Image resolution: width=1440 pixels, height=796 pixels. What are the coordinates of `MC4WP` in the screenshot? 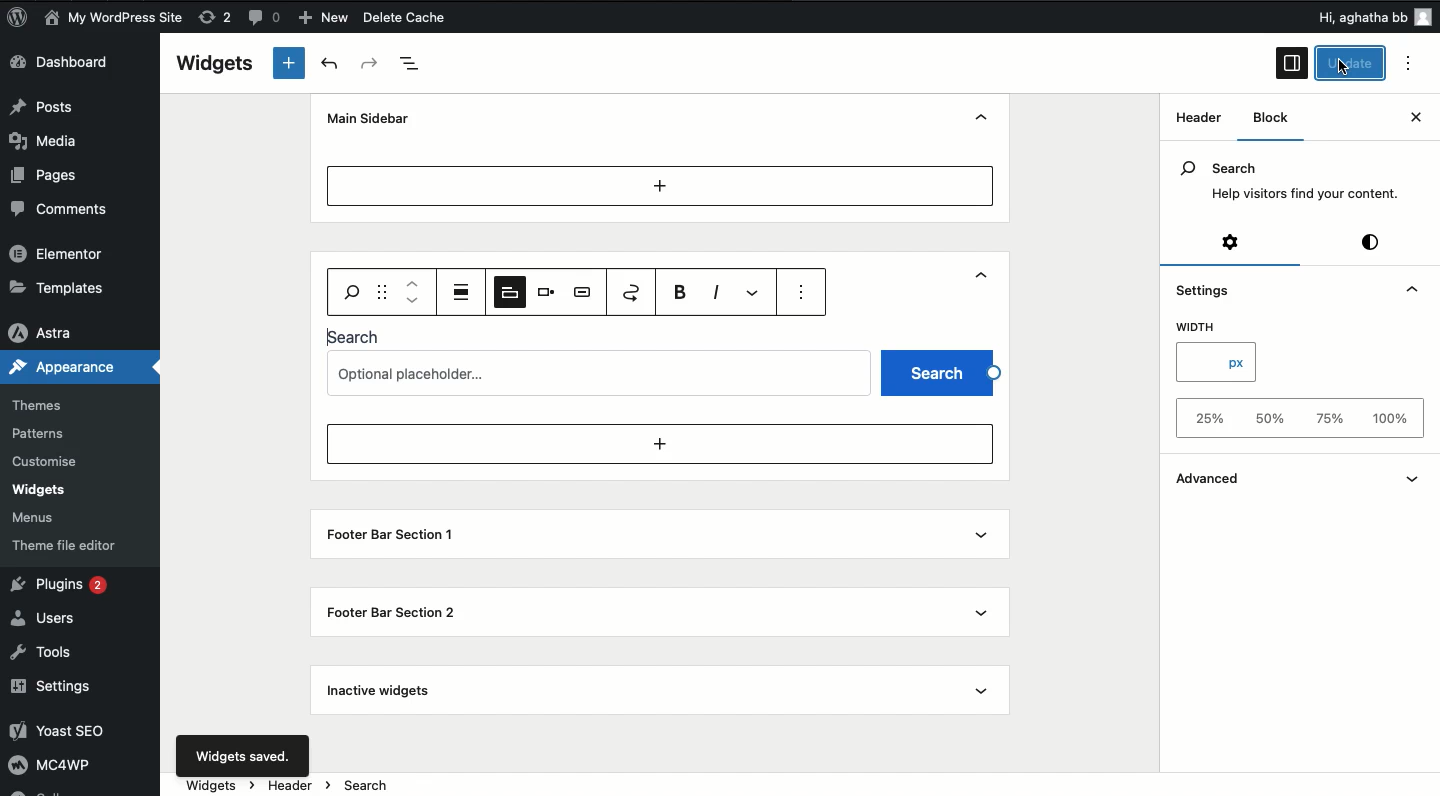 It's located at (59, 768).